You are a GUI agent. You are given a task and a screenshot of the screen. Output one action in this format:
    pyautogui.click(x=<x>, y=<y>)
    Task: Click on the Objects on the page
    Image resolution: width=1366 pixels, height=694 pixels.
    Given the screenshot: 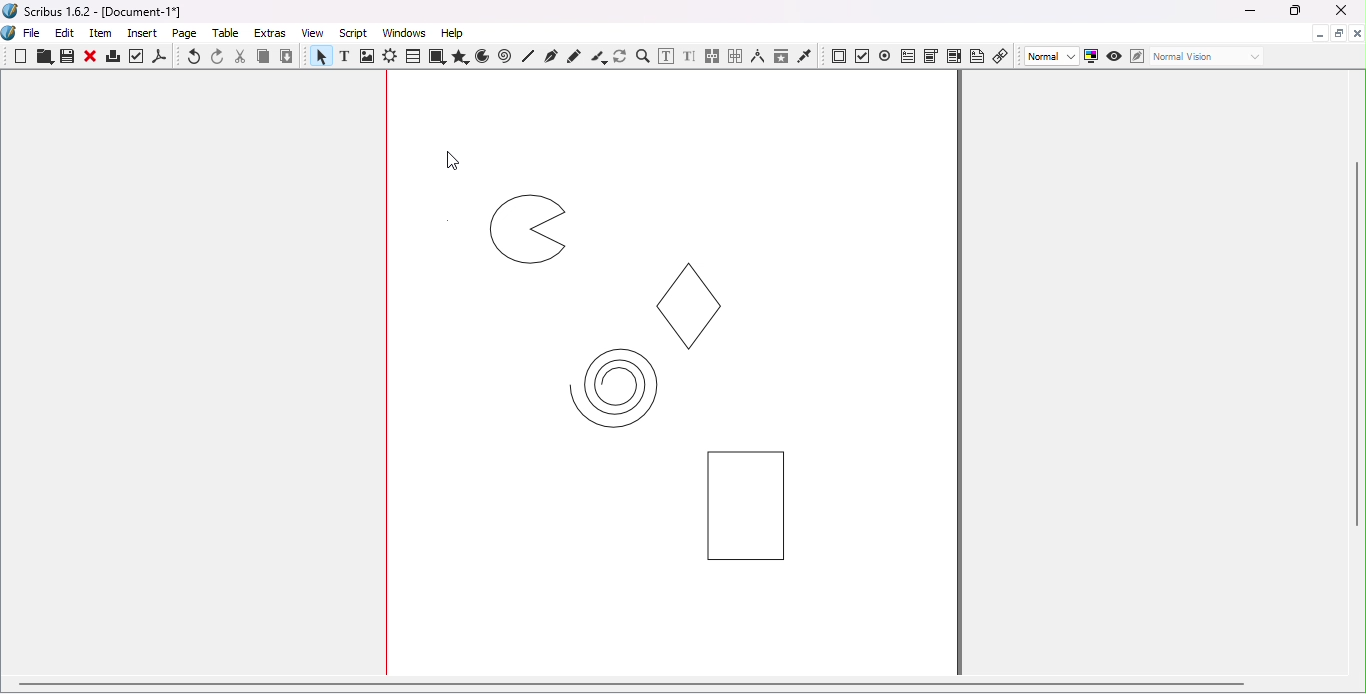 What is the action you would take?
    pyautogui.click(x=688, y=401)
    